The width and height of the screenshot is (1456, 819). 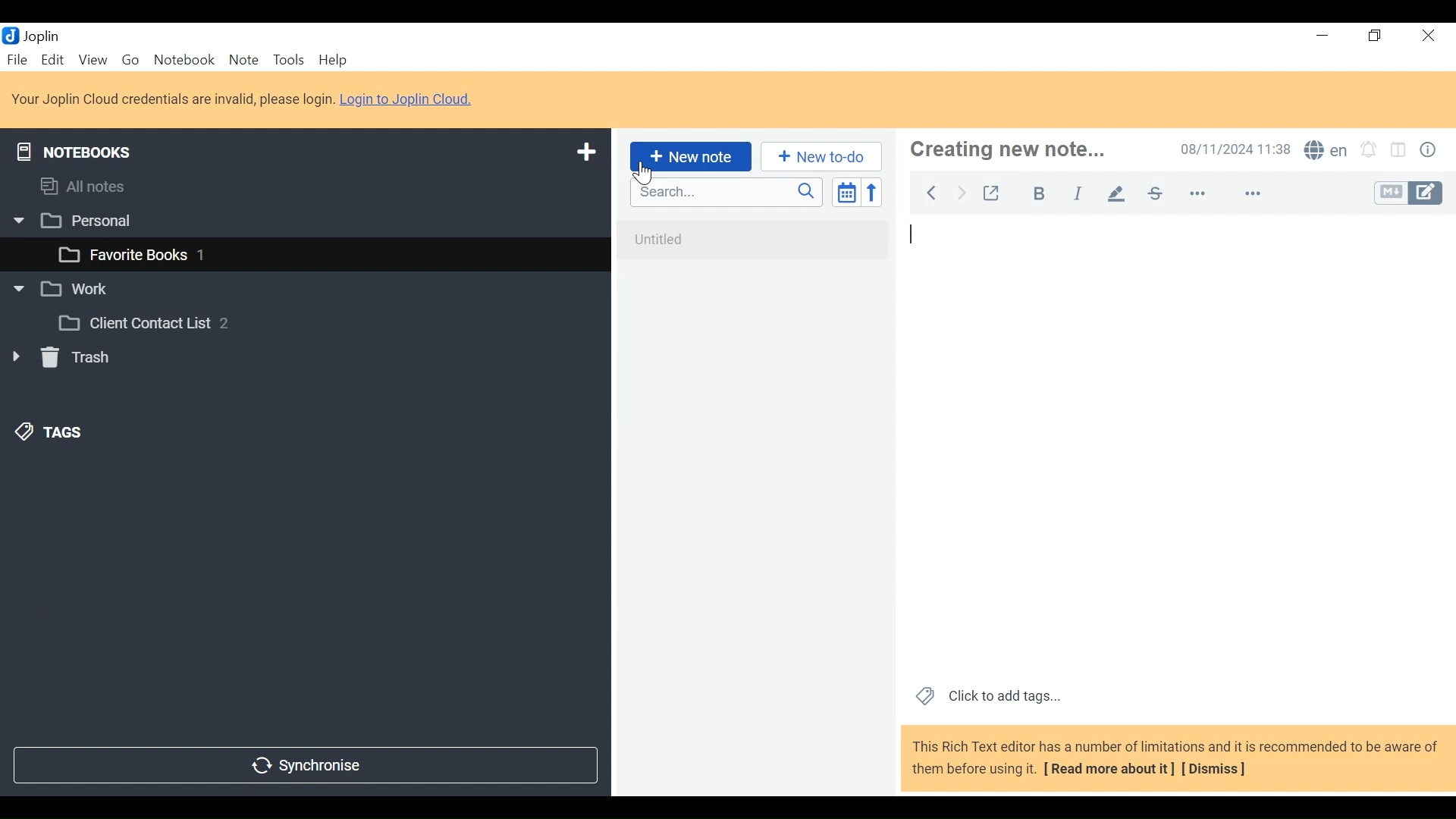 I want to click on Italics, so click(x=1077, y=194).